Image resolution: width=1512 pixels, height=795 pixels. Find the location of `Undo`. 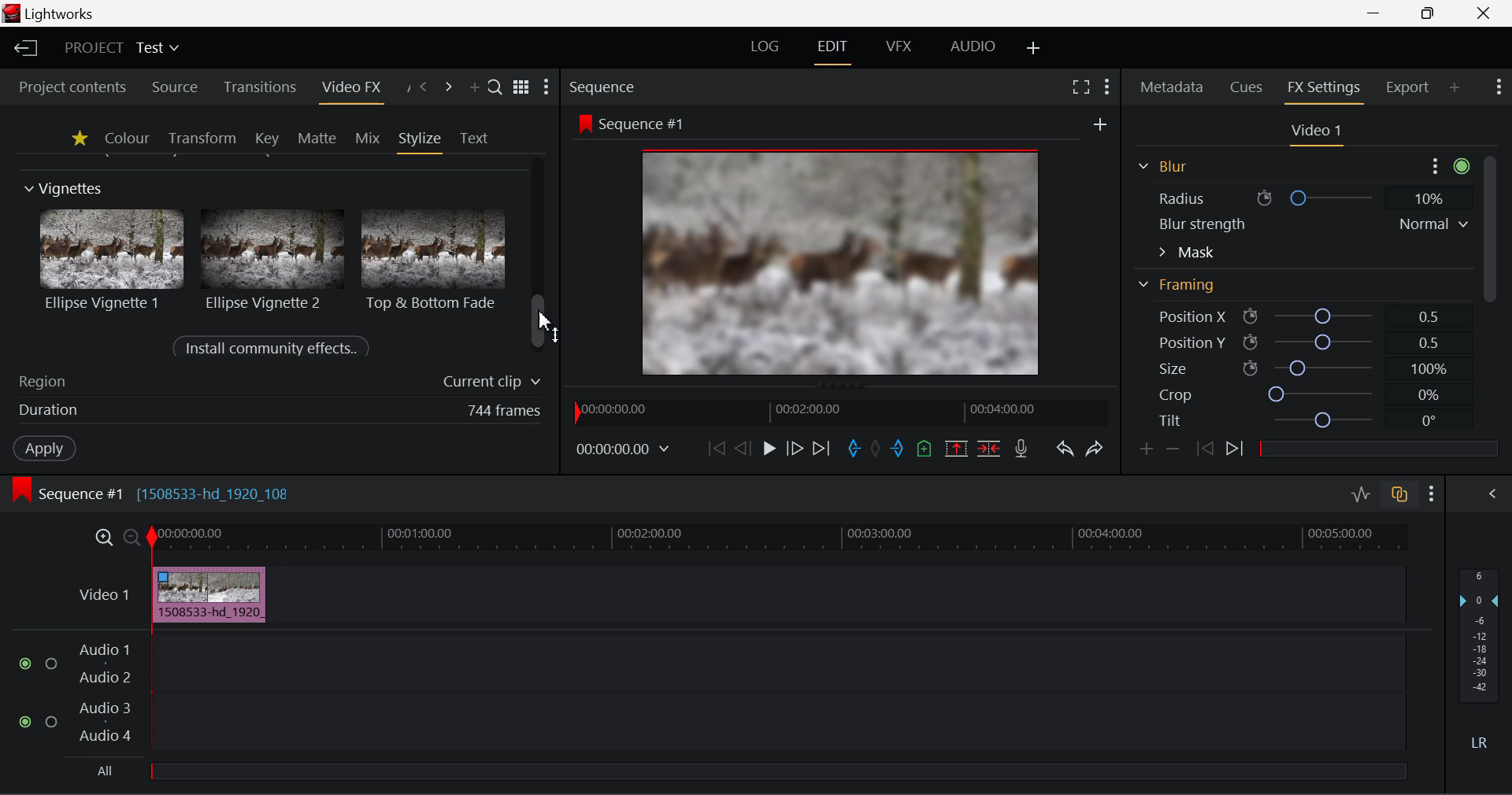

Undo is located at coordinates (1063, 446).